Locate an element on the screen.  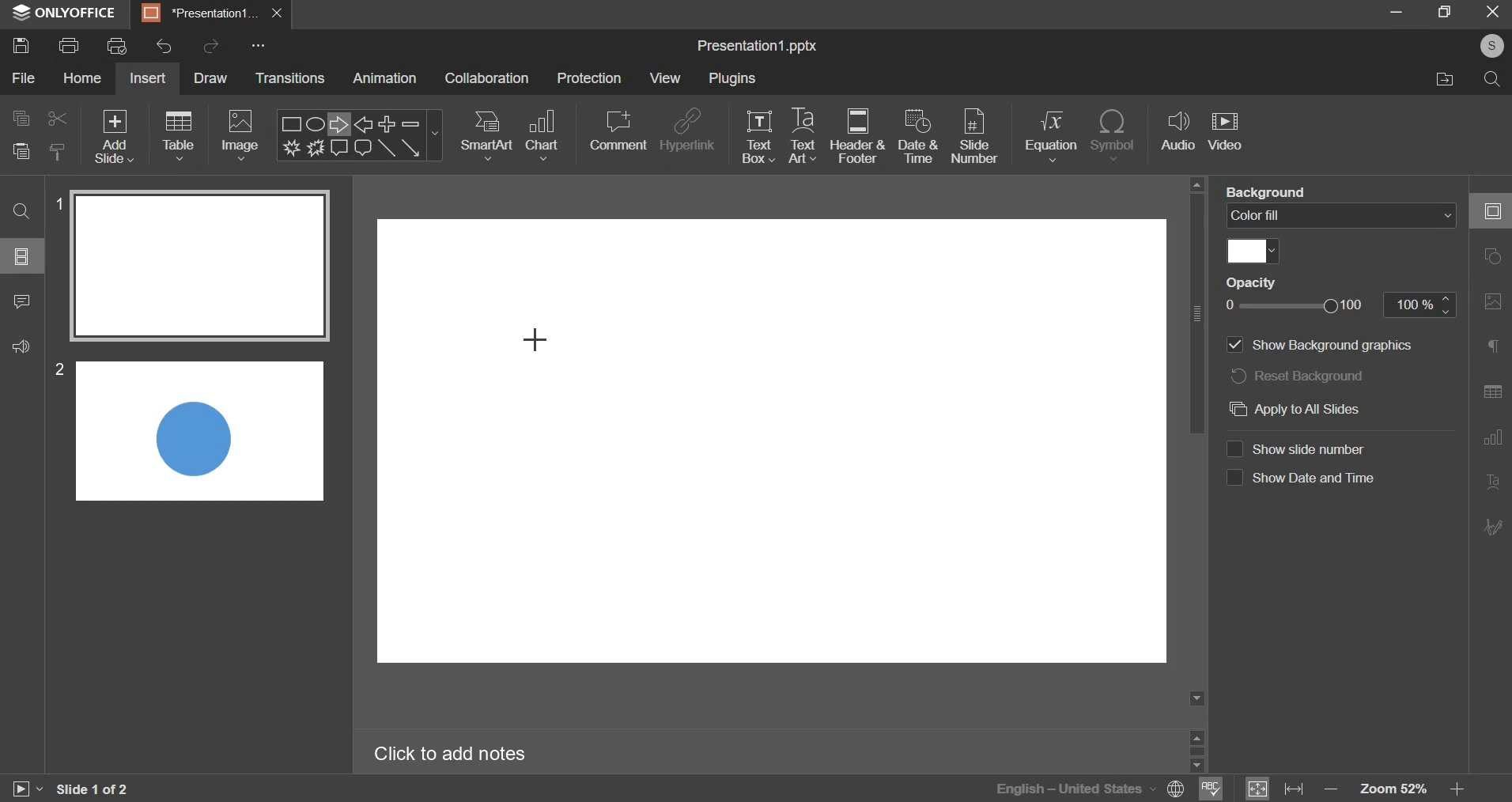
undo is located at coordinates (168, 44).